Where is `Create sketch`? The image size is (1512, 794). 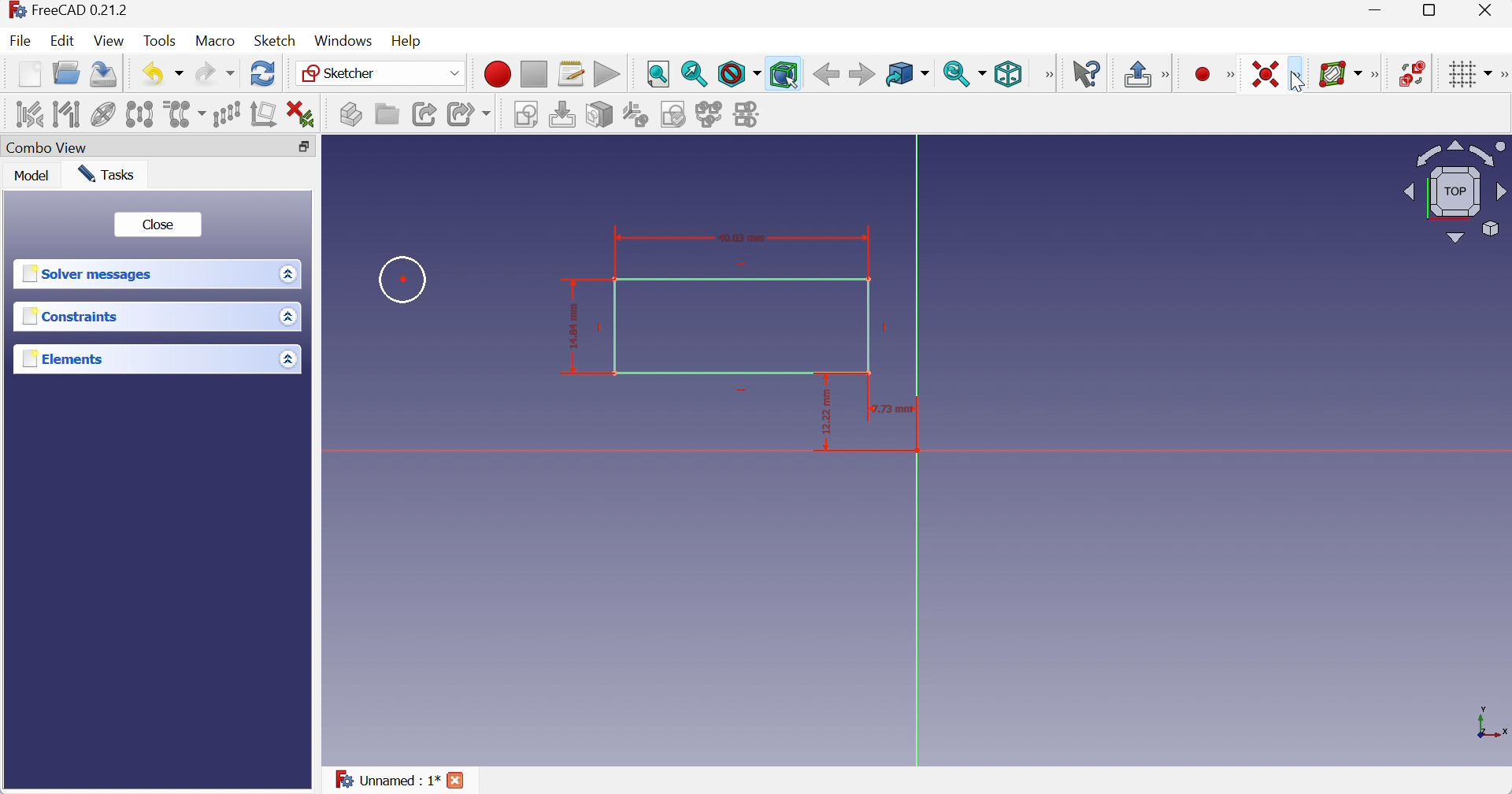 Create sketch is located at coordinates (528, 116).